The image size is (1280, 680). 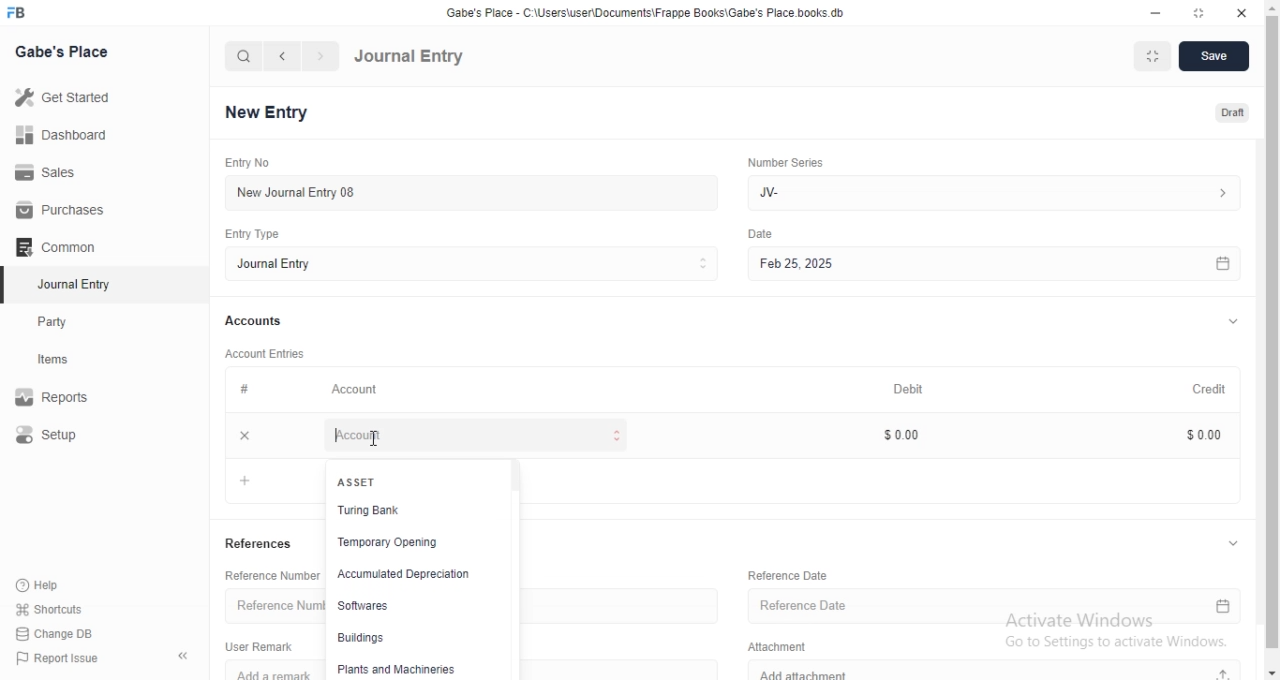 What do you see at coordinates (267, 354) in the screenshot?
I see `Account Entries` at bounding box center [267, 354].